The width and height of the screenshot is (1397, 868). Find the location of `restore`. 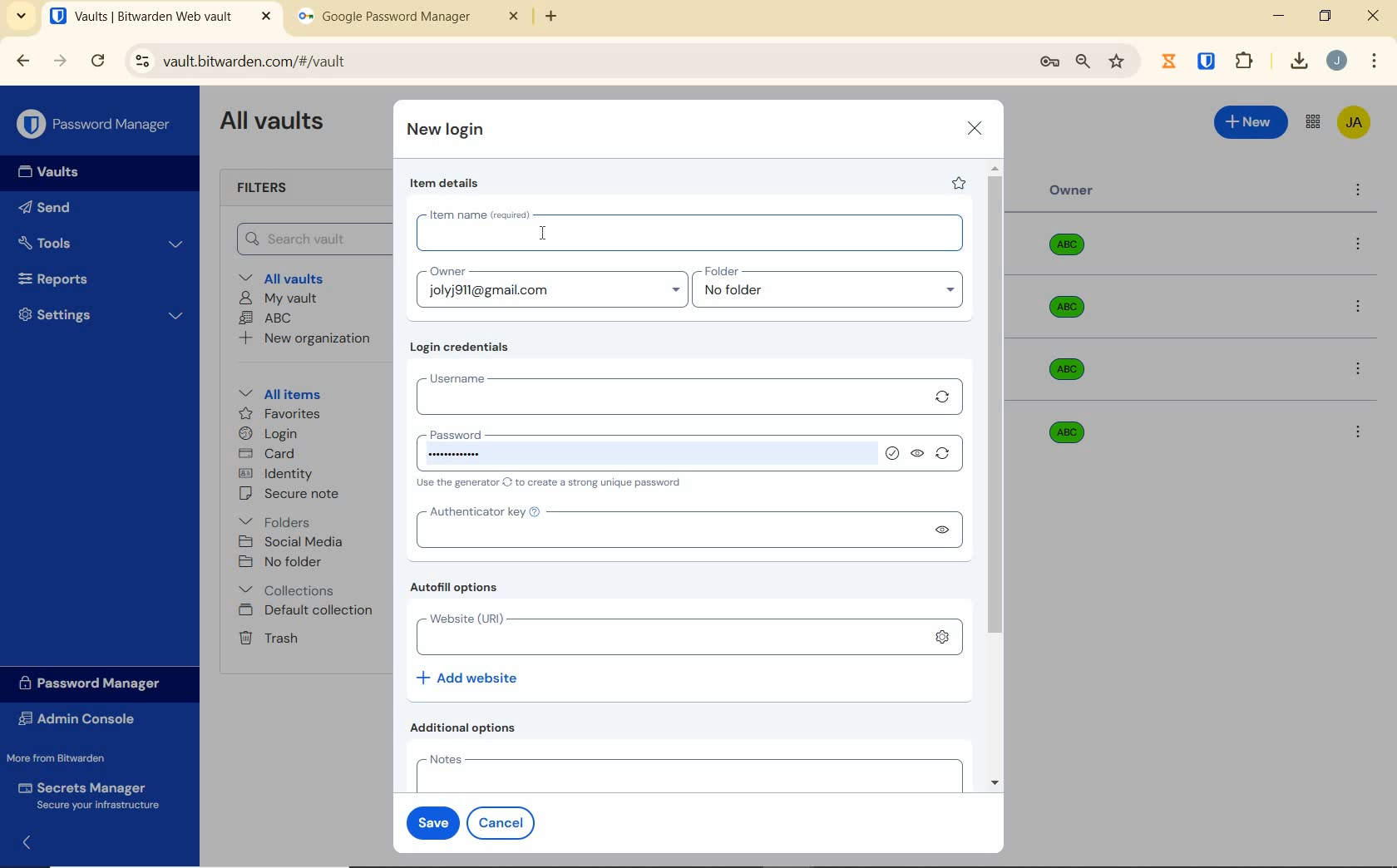

restore is located at coordinates (1324, 16).